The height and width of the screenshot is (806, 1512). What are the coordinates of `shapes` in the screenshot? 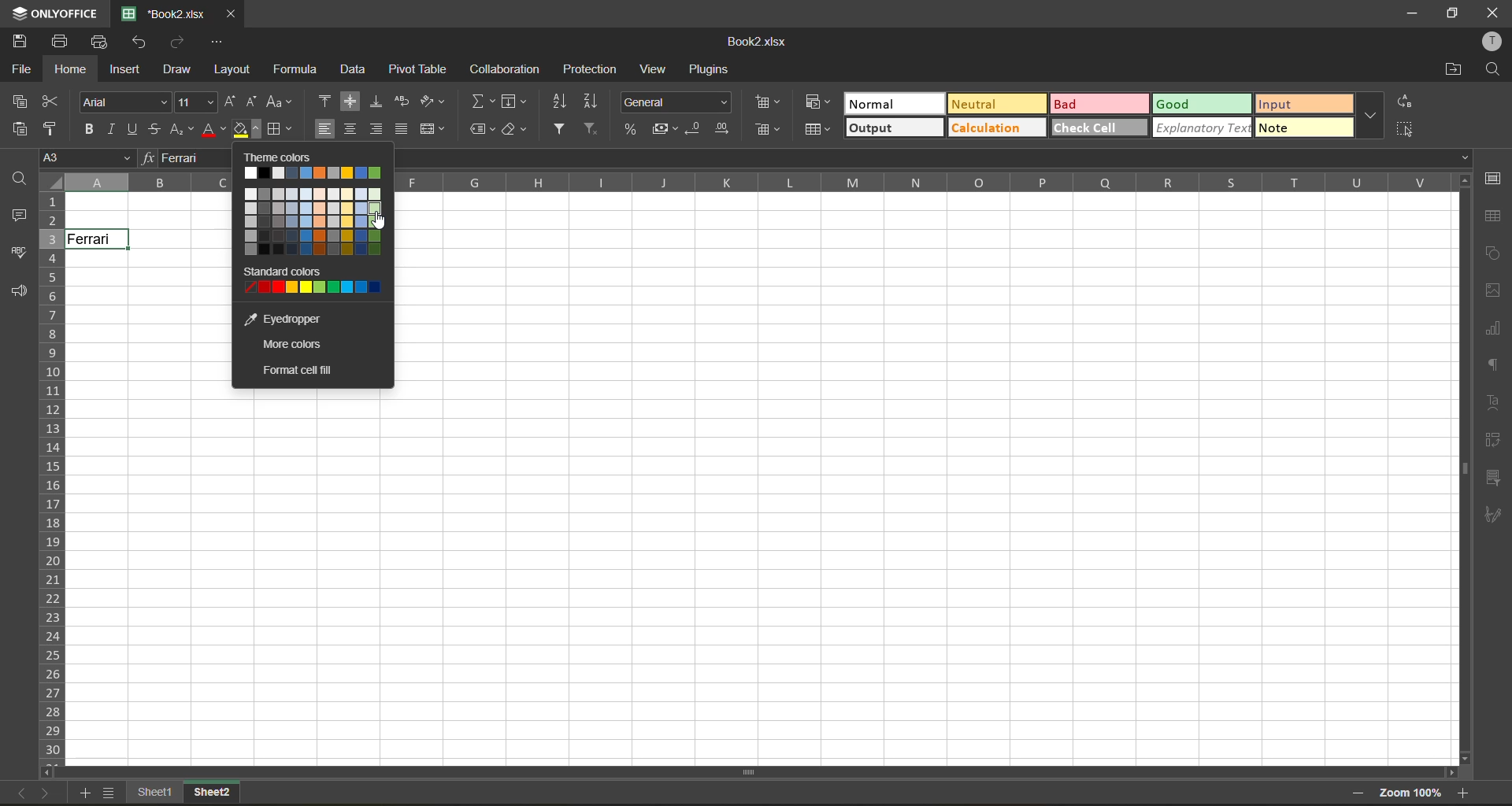 It's located at (1494, 253).